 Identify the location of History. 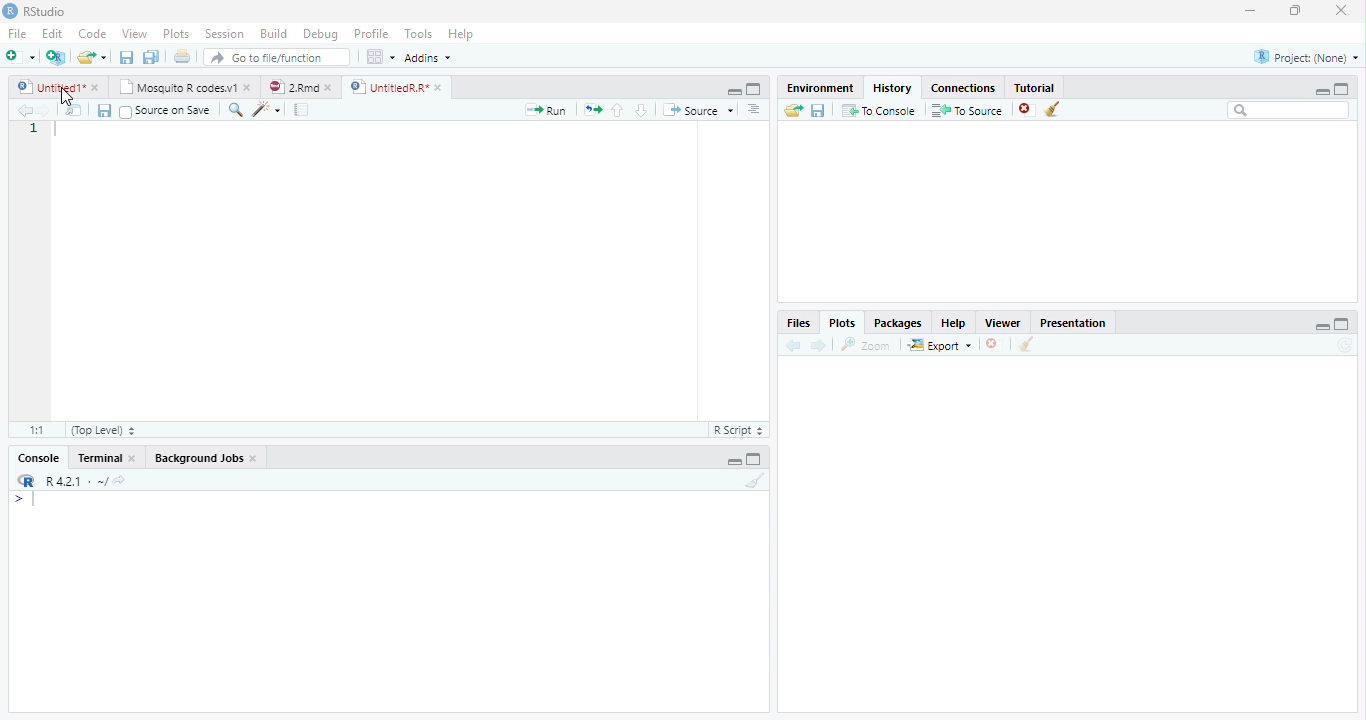
(890, 88).